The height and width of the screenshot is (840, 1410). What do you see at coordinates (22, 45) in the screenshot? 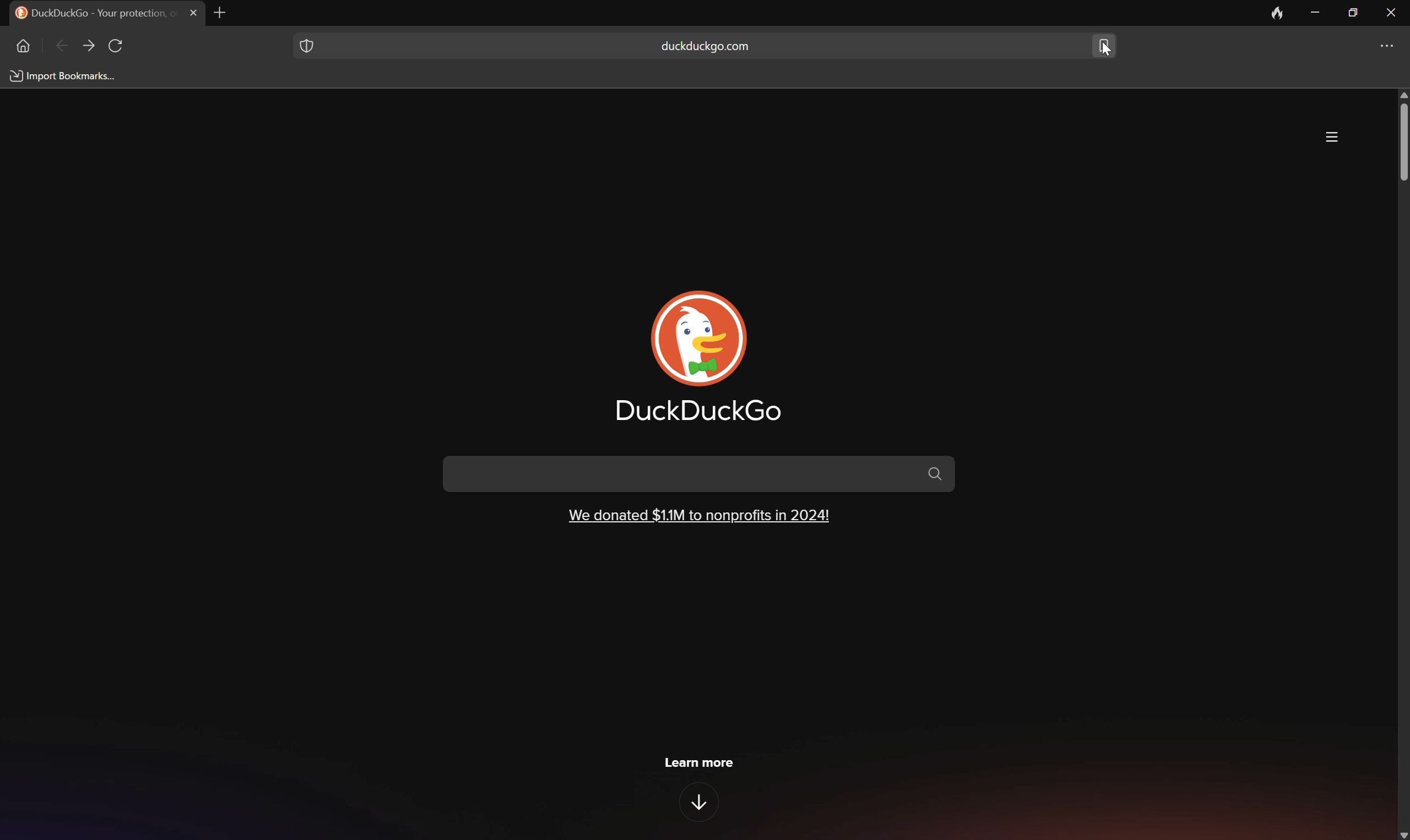
I see `Home` at bounding box center [22, 45].